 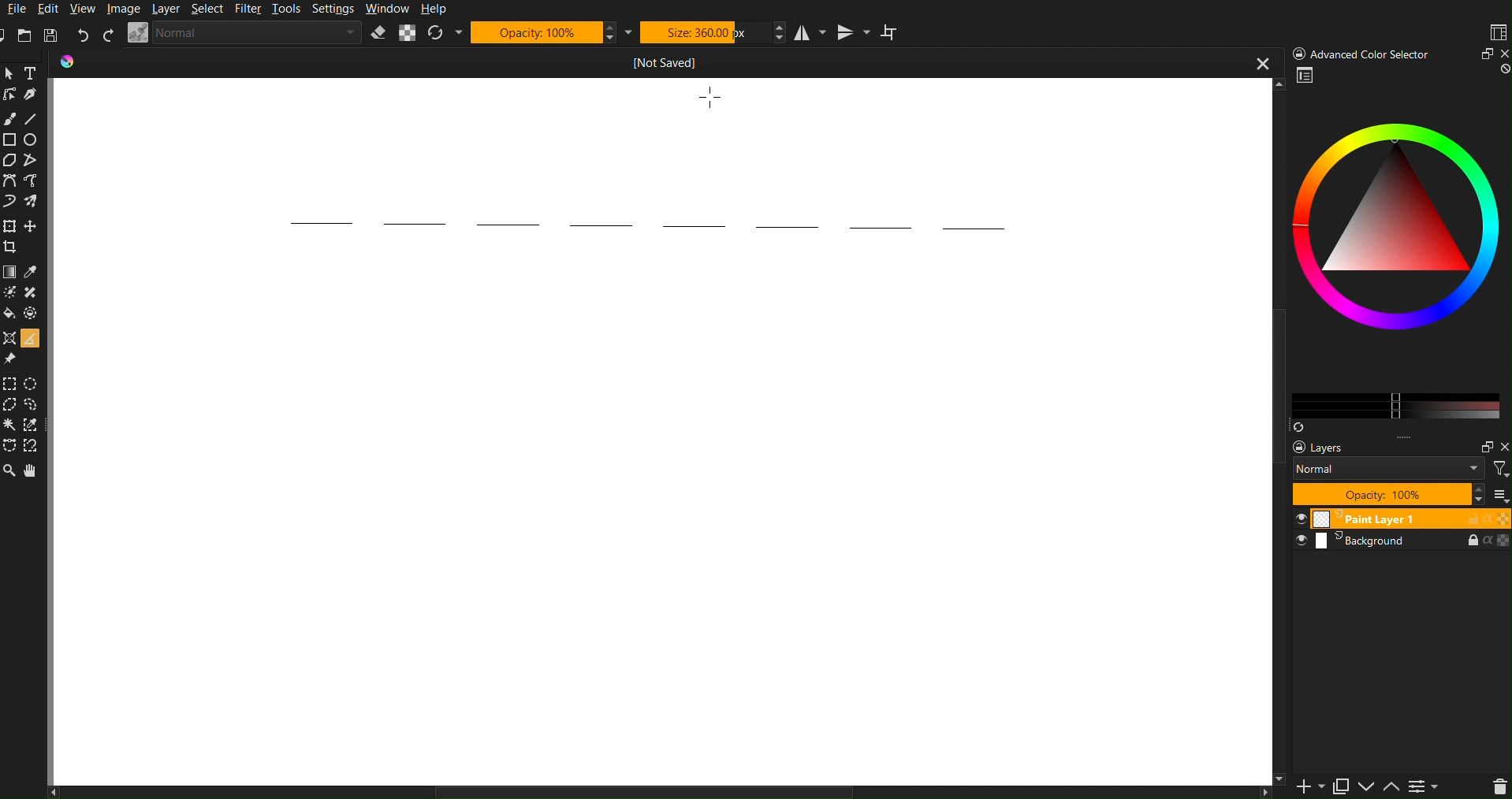 I want to click on Red Eye Fix, so click(x=11, y=200).